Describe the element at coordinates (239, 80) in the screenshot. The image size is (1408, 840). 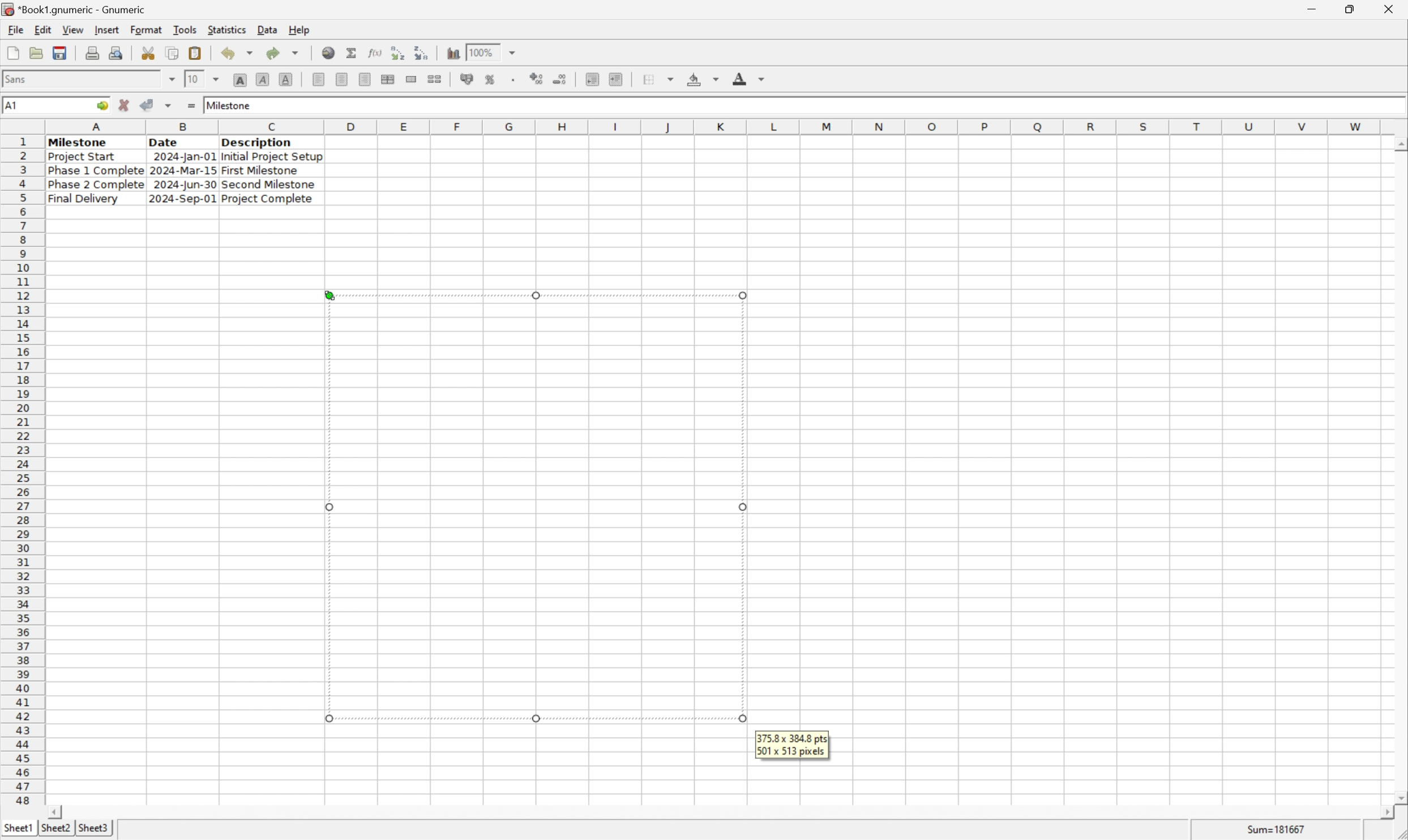
I see `bold` at that location.